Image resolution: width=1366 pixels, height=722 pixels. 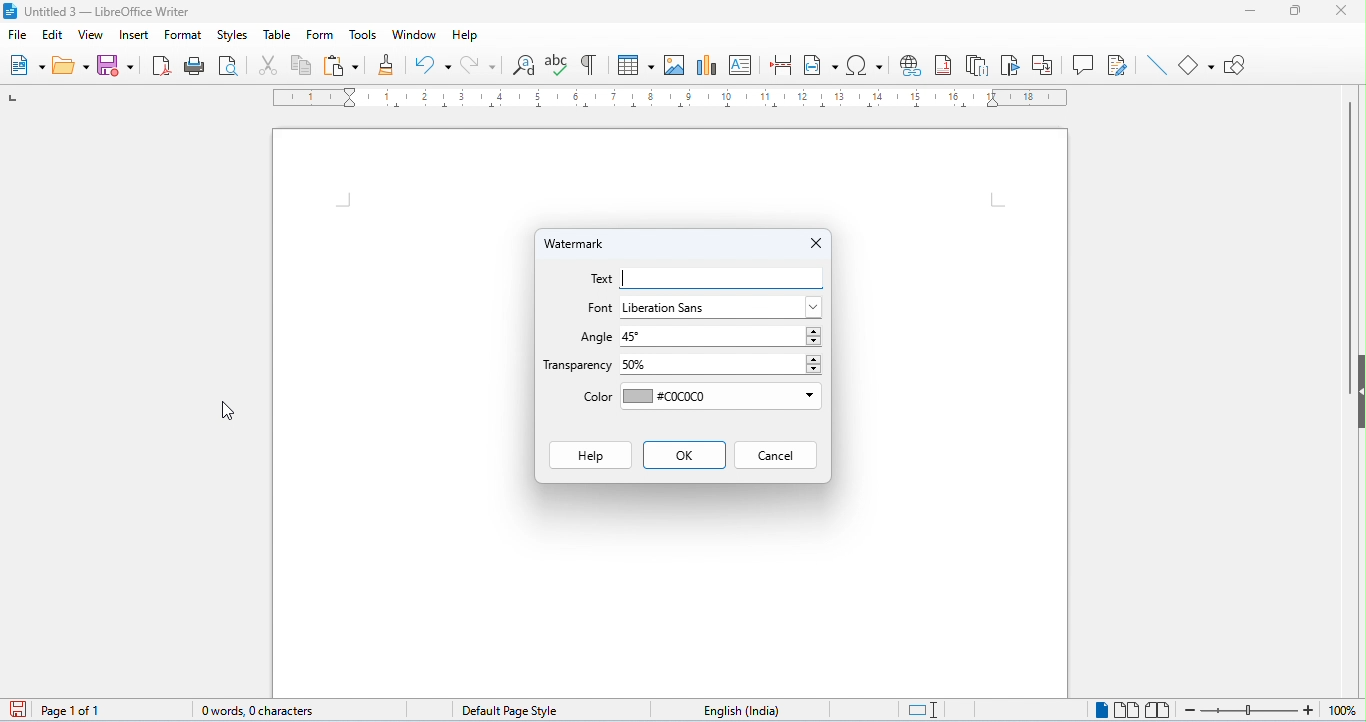 I want to click on insert cross reference, so click(x=1045, y=67).